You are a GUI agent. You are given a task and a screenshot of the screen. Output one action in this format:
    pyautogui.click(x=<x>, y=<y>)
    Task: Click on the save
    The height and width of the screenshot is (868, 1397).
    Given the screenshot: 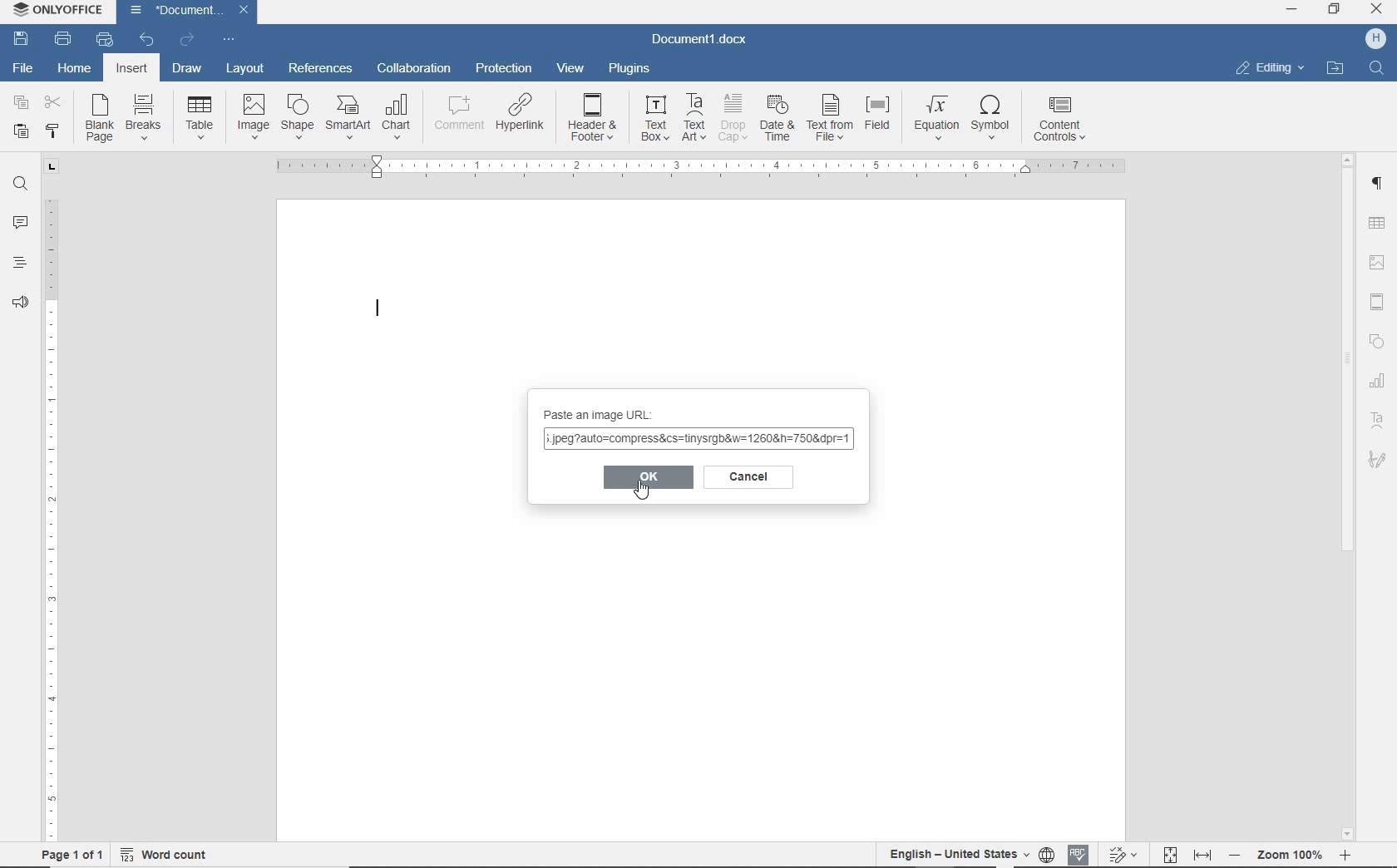 What is the action you would take?
    pyautogui.click(x=20, y=40)
    